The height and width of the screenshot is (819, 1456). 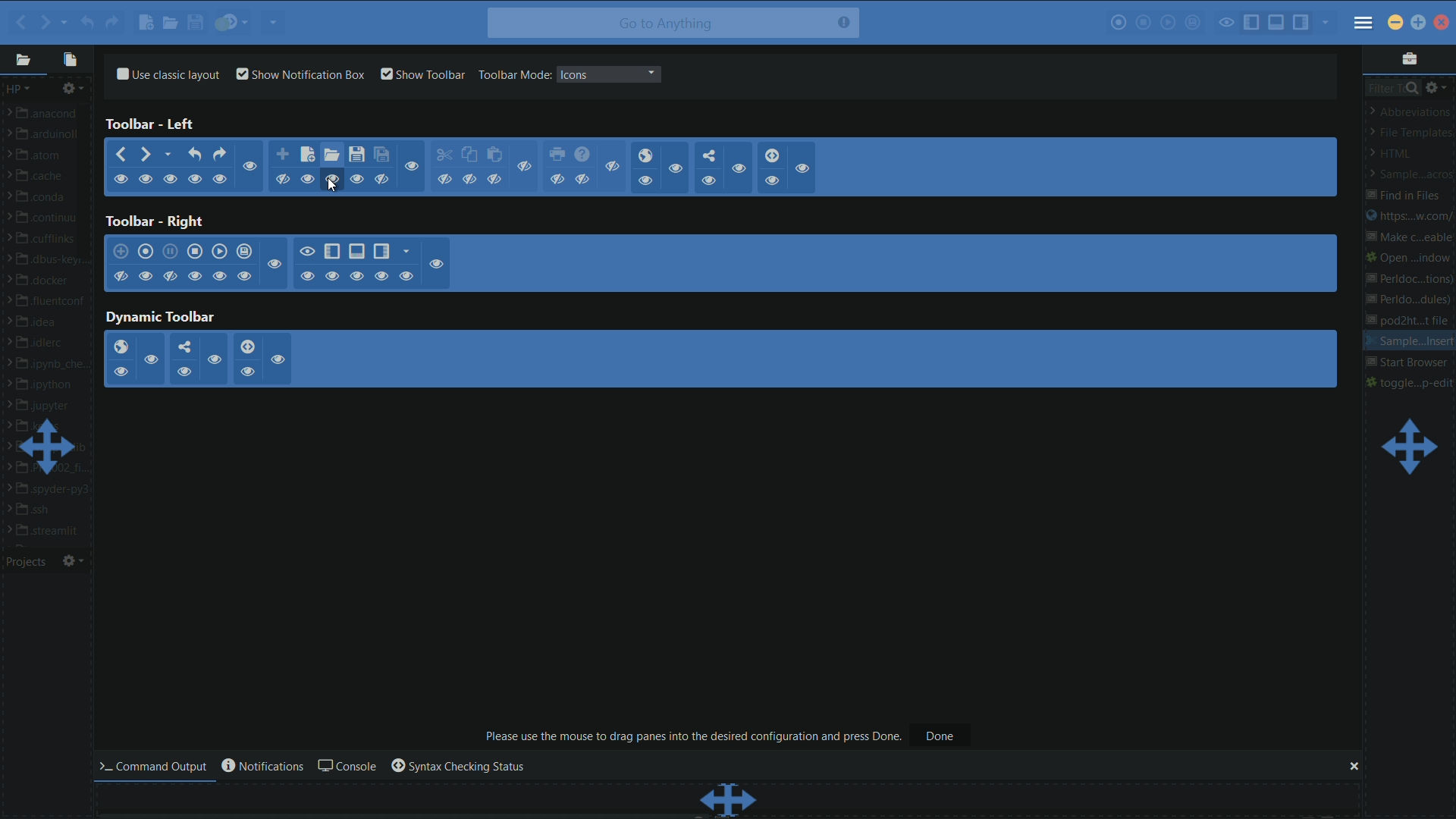 What do you see at coordinates (559, 155) in the screenshot?
I see `print` at bounding box center [559, 155].